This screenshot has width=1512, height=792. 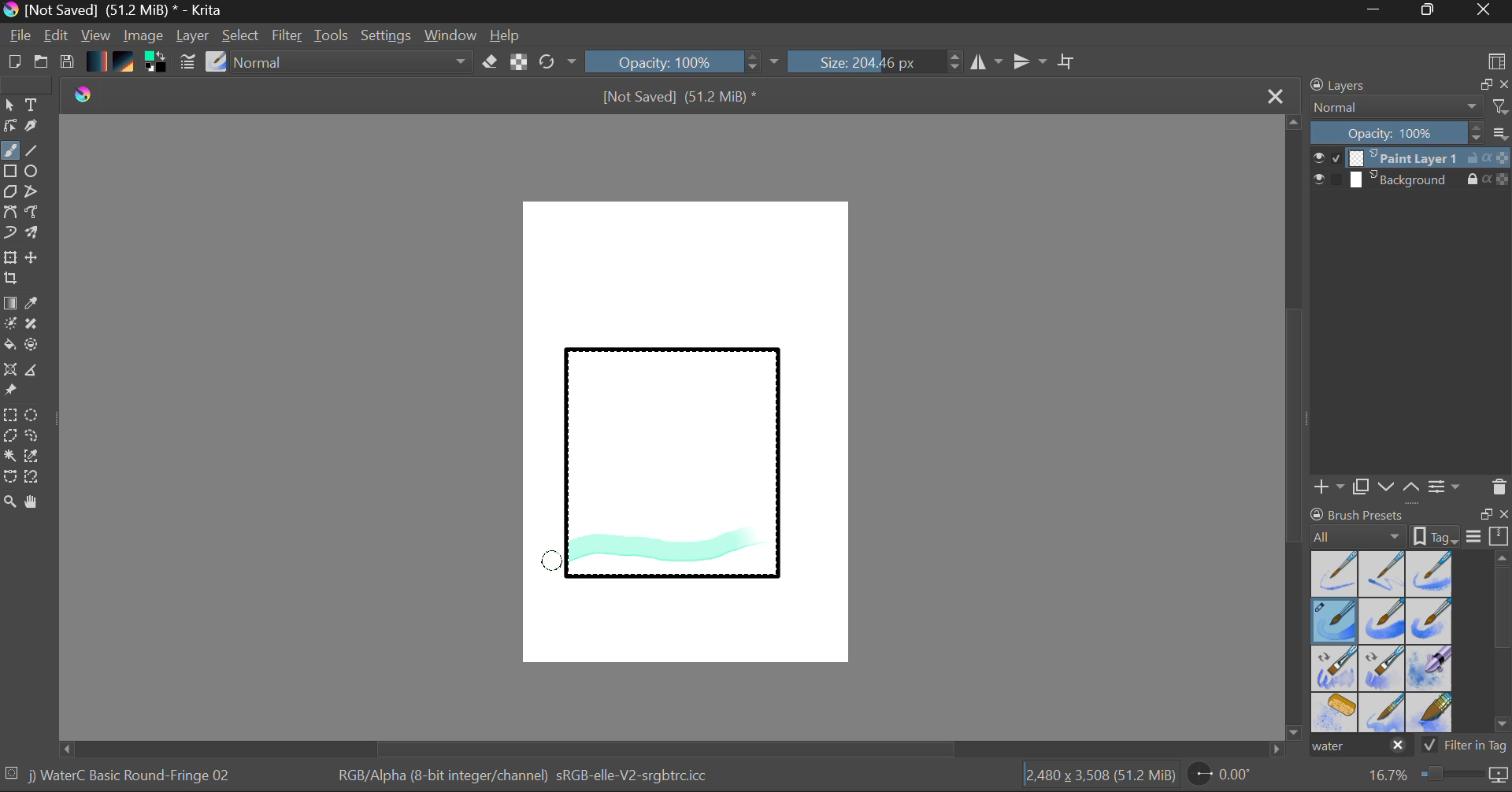 I want to click on Pattern, so click(x=126, y=63).